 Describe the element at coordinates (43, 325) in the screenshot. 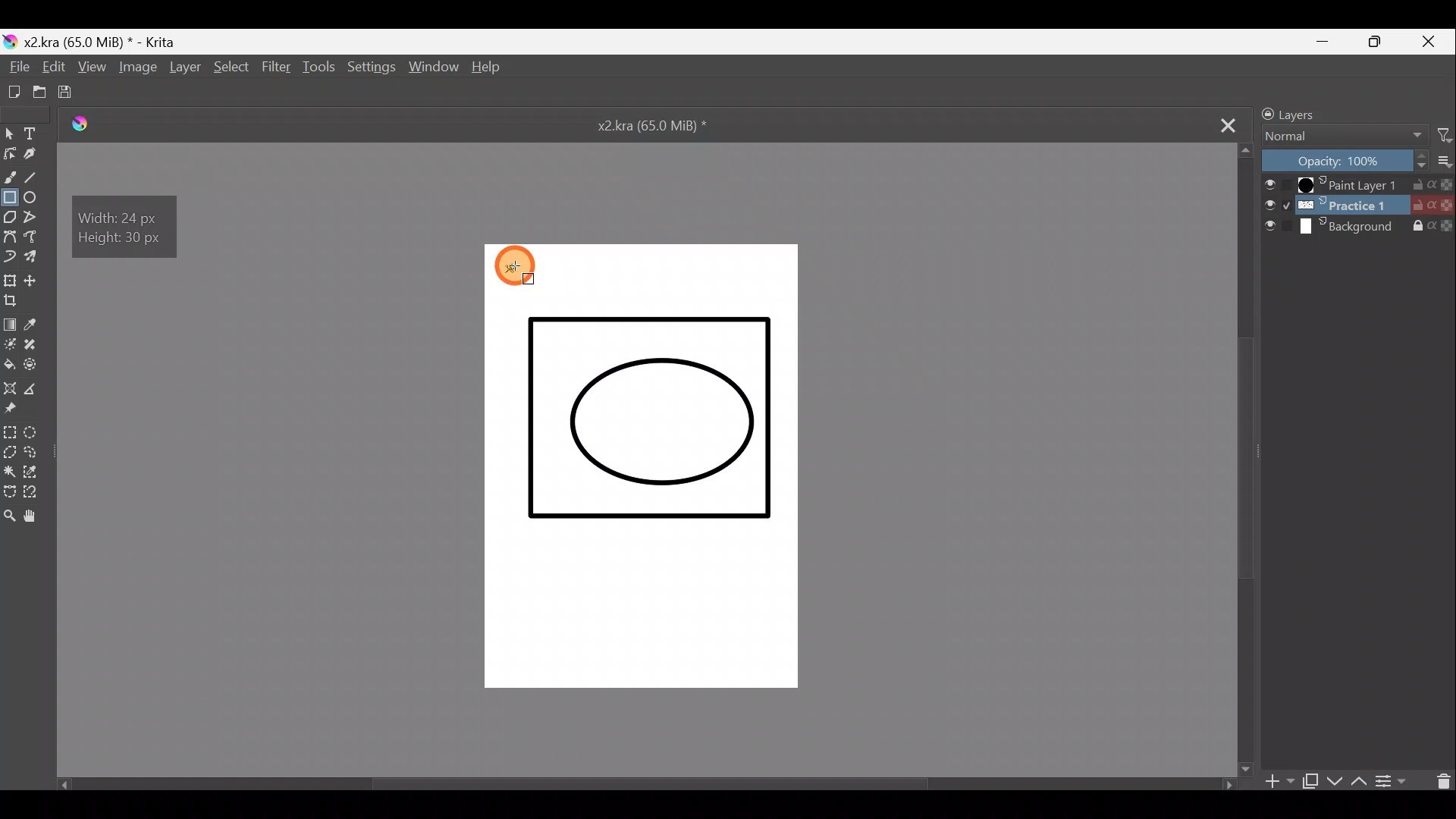

I see `Sample a colour from image/current layer` at that location.